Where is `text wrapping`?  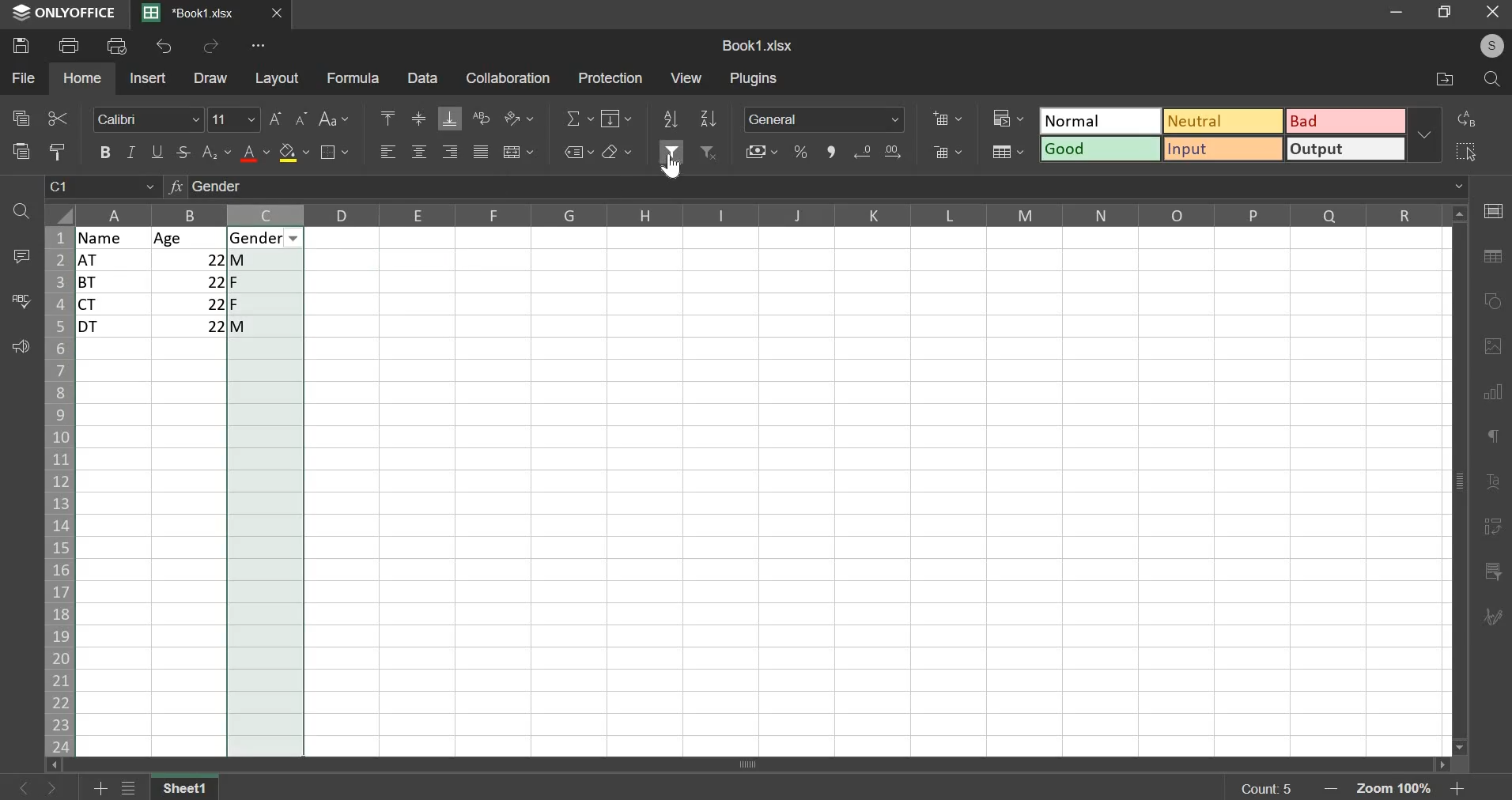 text wrapping is located at coordinates (481, 117).